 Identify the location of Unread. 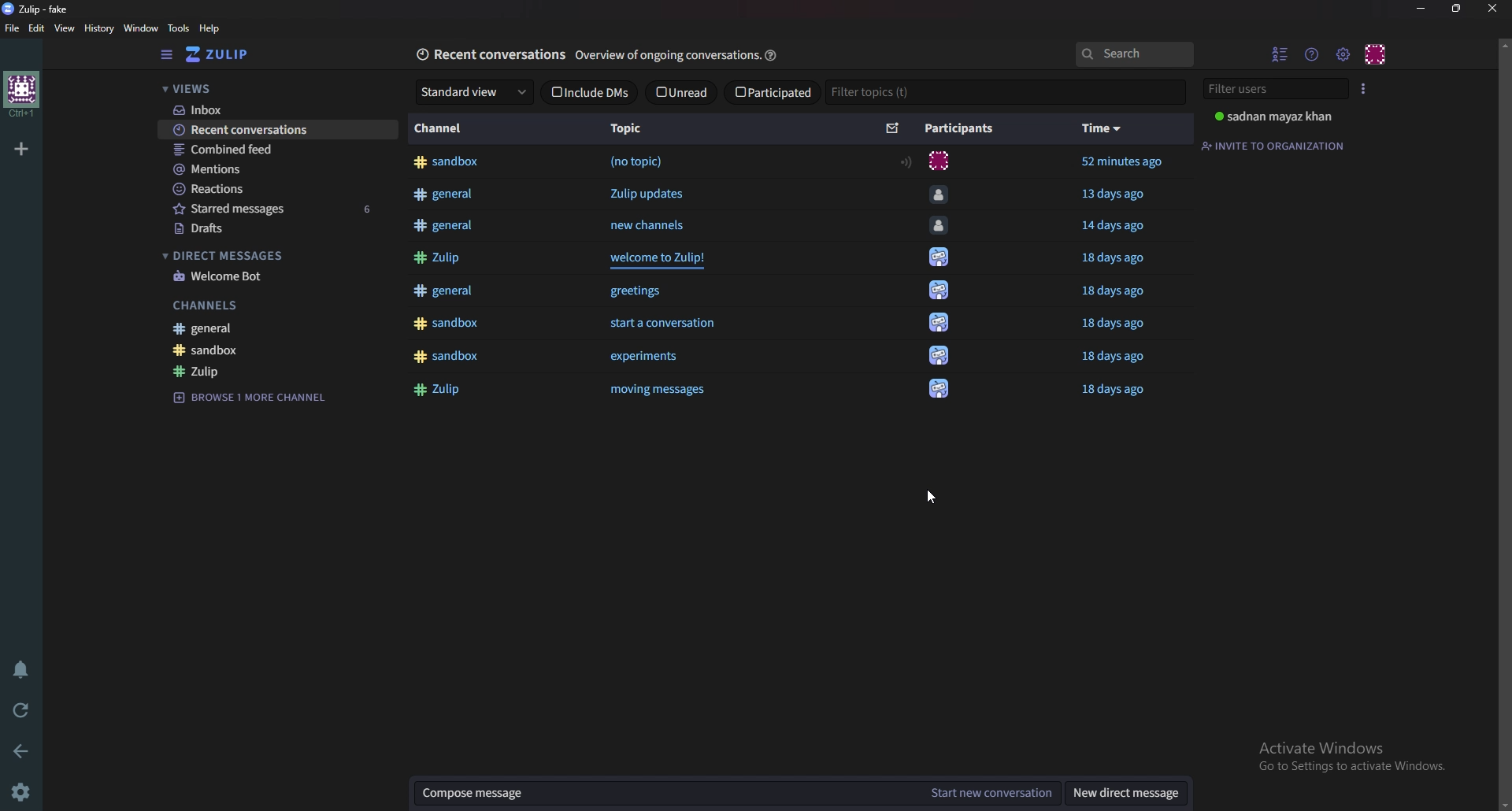
(682, 92).